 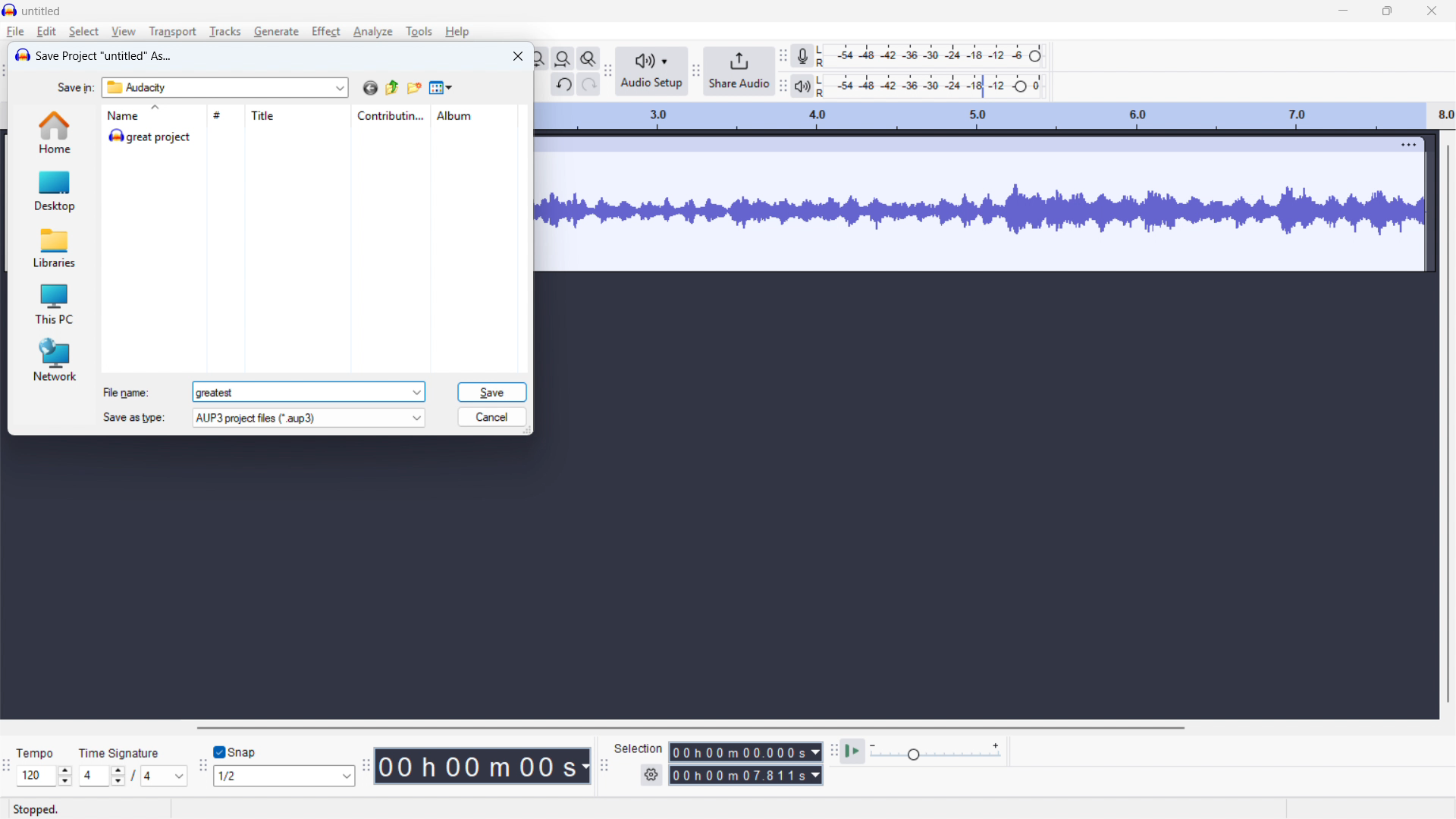 I want to click on redo, so click(x=589, y=85).